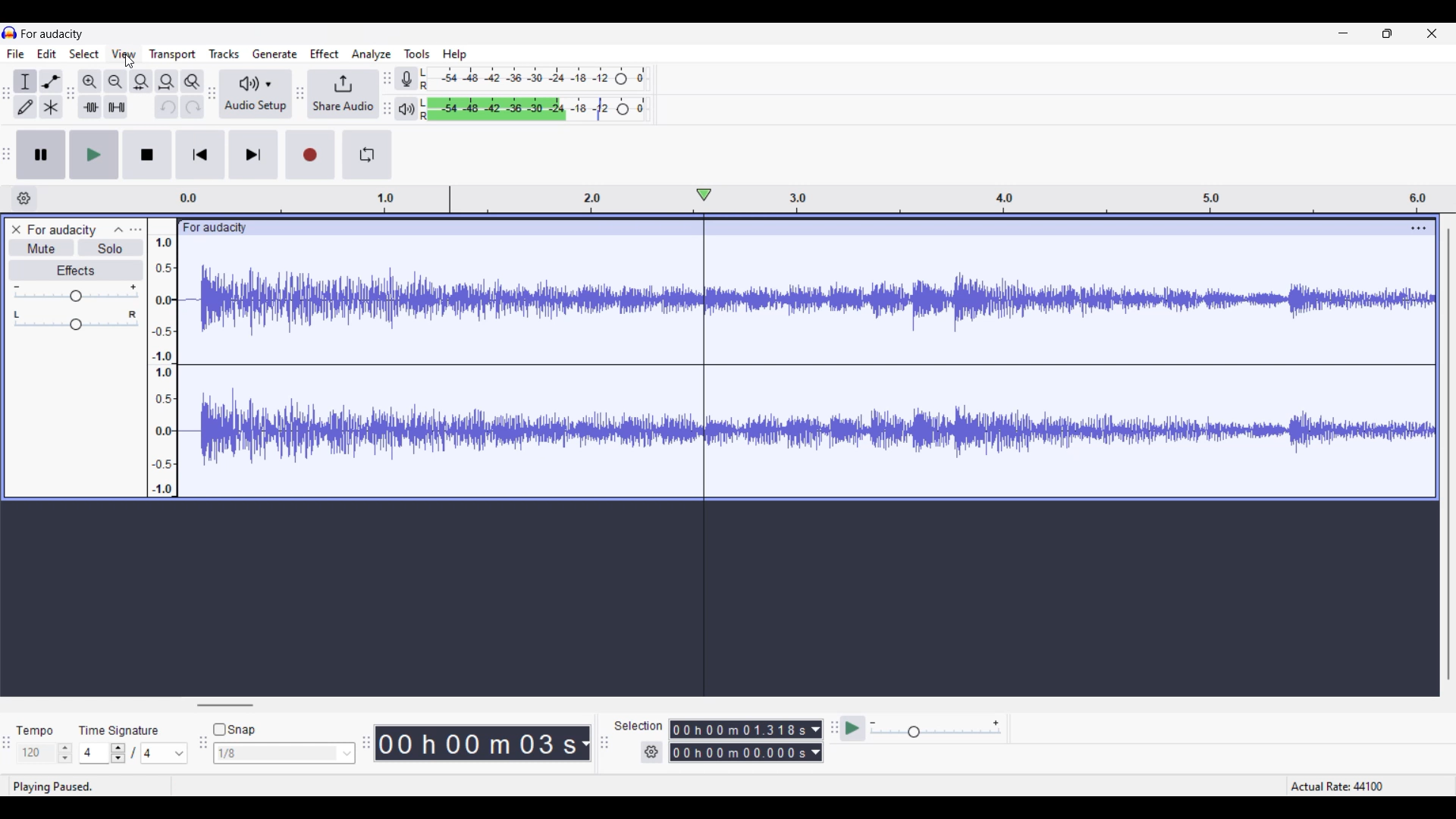 The width and height of the screenshot is (1456, 819). Describe the element at coordinates (325, 53) in the screenshot. I see `Effect menu` at that location.